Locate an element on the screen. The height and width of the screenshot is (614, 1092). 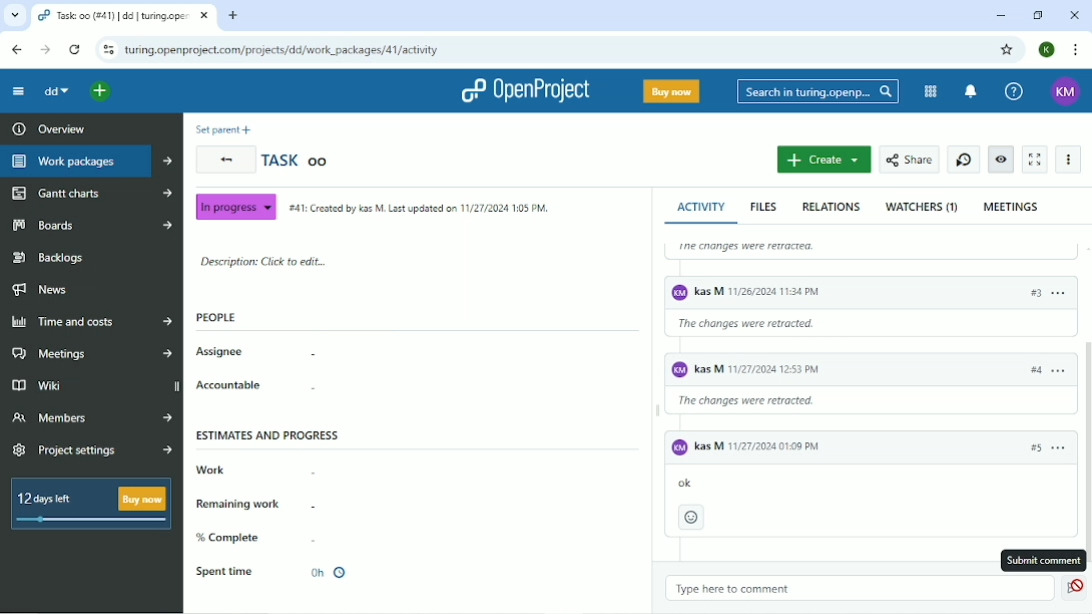
Cursor  is located at coordinates (1080, 595).